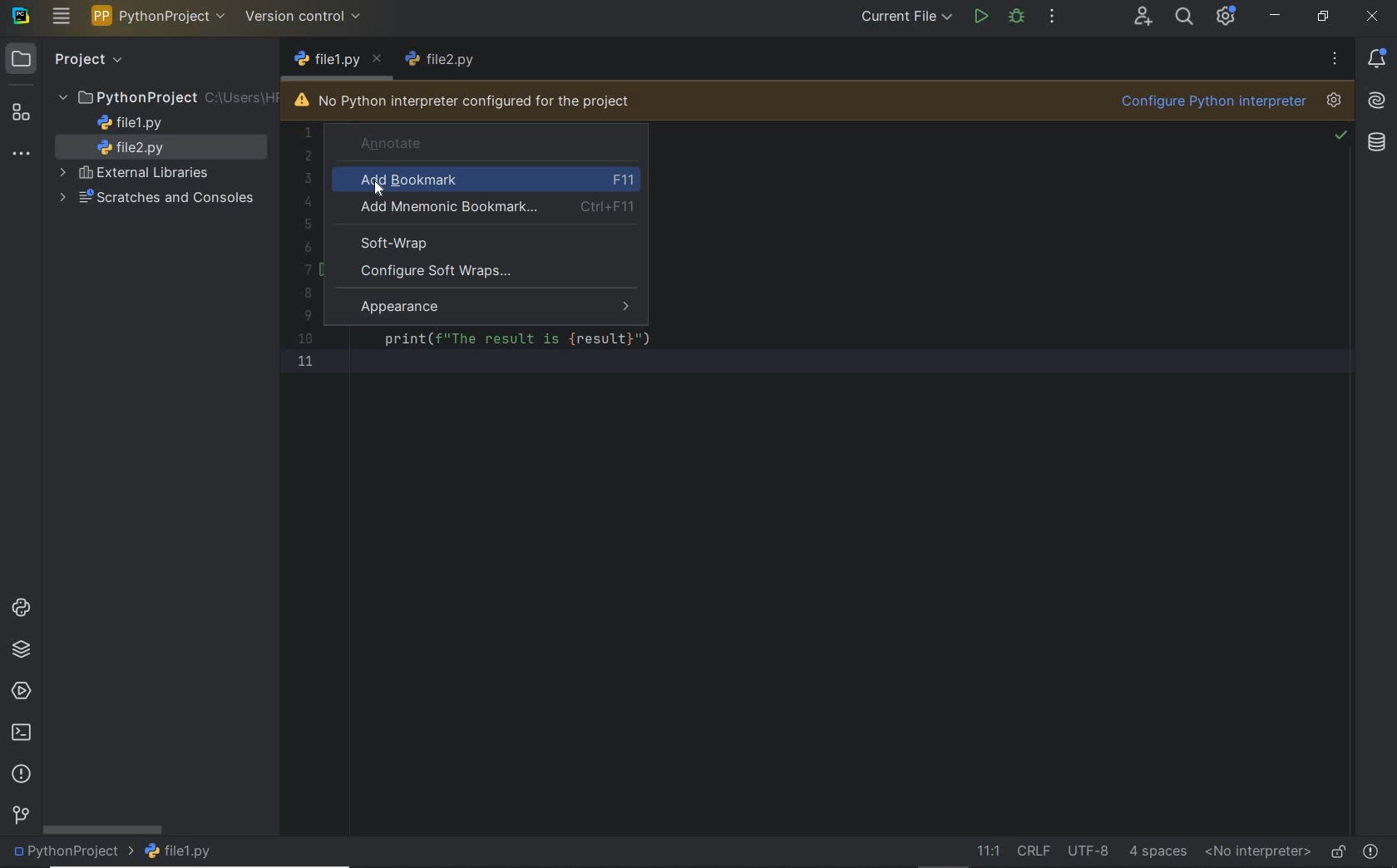 The height and width of the screenshot is (868, 1397). I want to click on print code, so click(521, 340).